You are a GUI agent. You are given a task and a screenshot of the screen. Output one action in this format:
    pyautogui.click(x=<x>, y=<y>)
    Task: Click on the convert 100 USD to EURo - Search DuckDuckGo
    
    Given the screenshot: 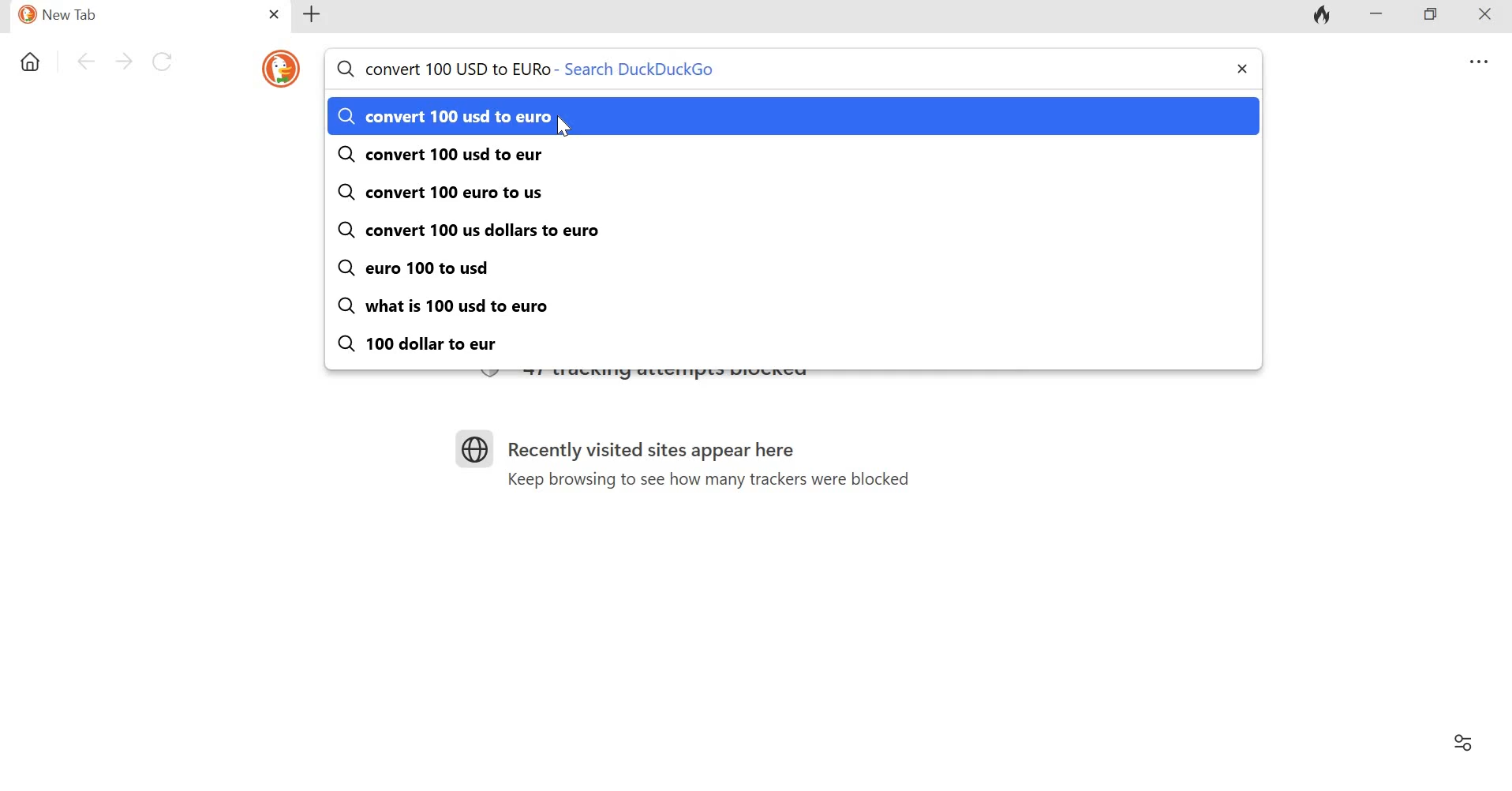 What is the action you would take?
    pyautogui.click(x=533, y=69)
    